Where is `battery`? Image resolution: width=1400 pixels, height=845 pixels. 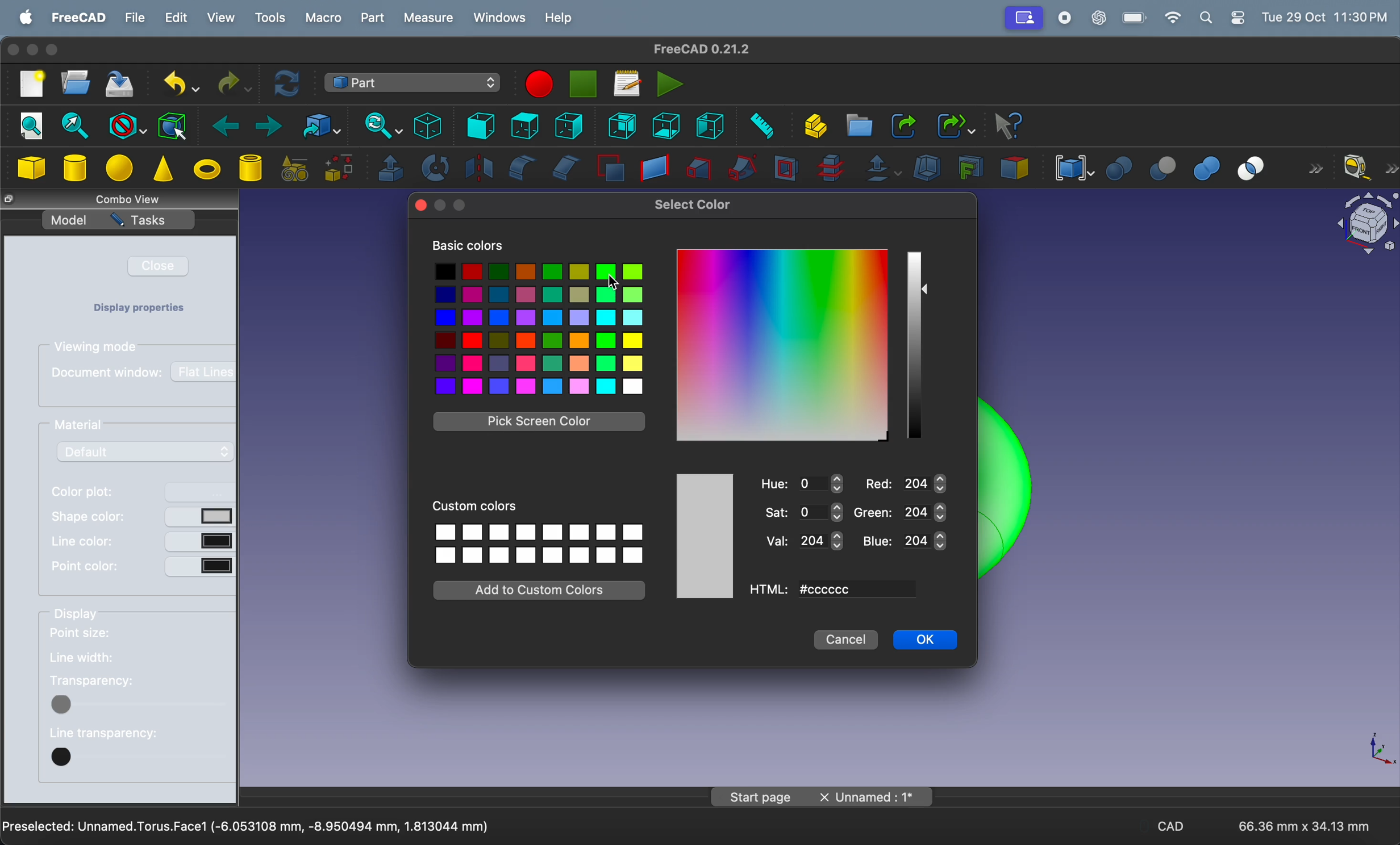 battery is located at coordinates (1134, 18).